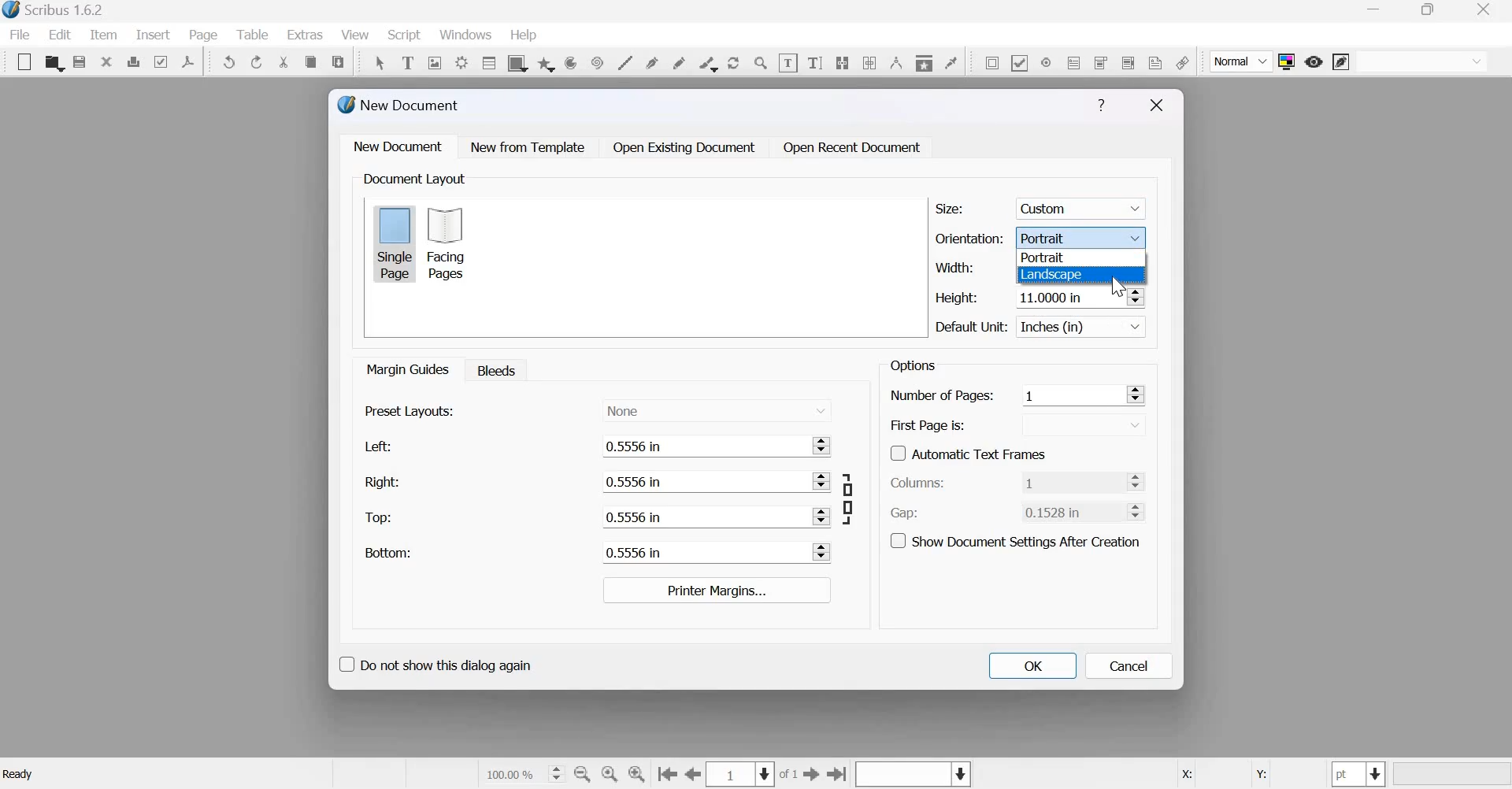 The height and width of the screenshot is (789, 1512). I want to click on Increase and Decrease, so click(1136, 510).